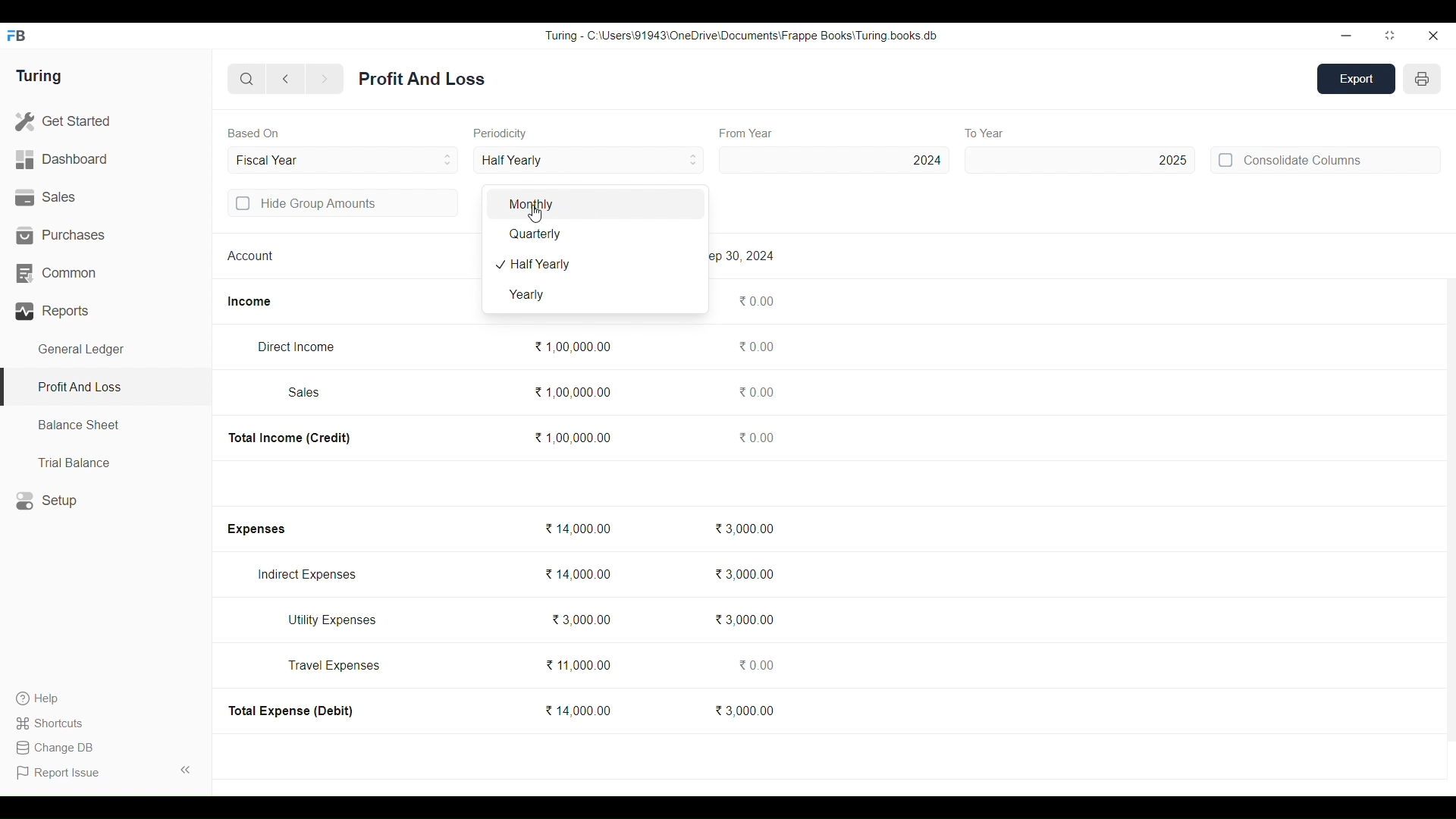  Describe the element at coordinates (1357, 79) in the screenshot. I see `Export` at that location.